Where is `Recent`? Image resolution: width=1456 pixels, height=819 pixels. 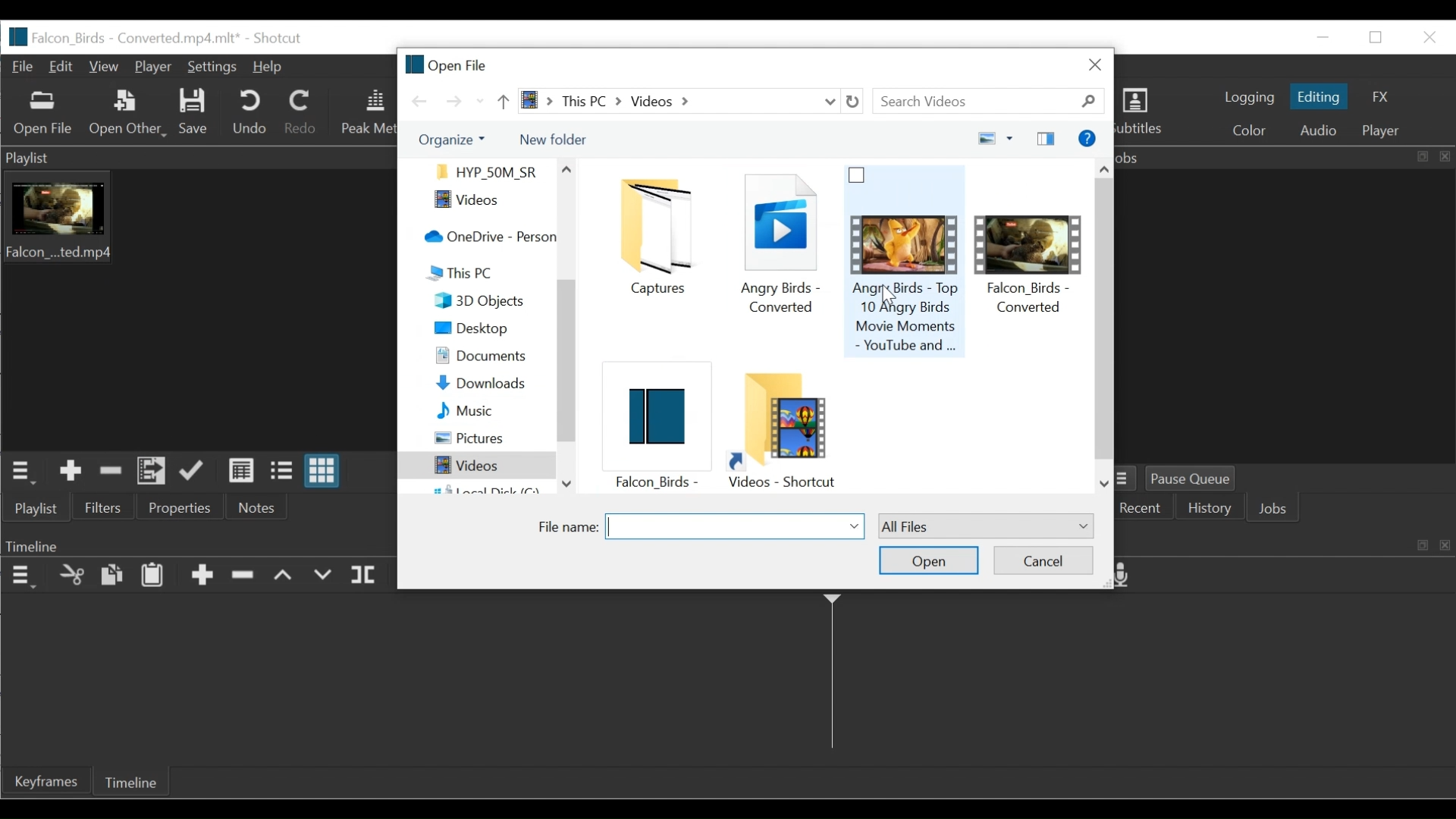 Recent is located at coordinates (480, 102).